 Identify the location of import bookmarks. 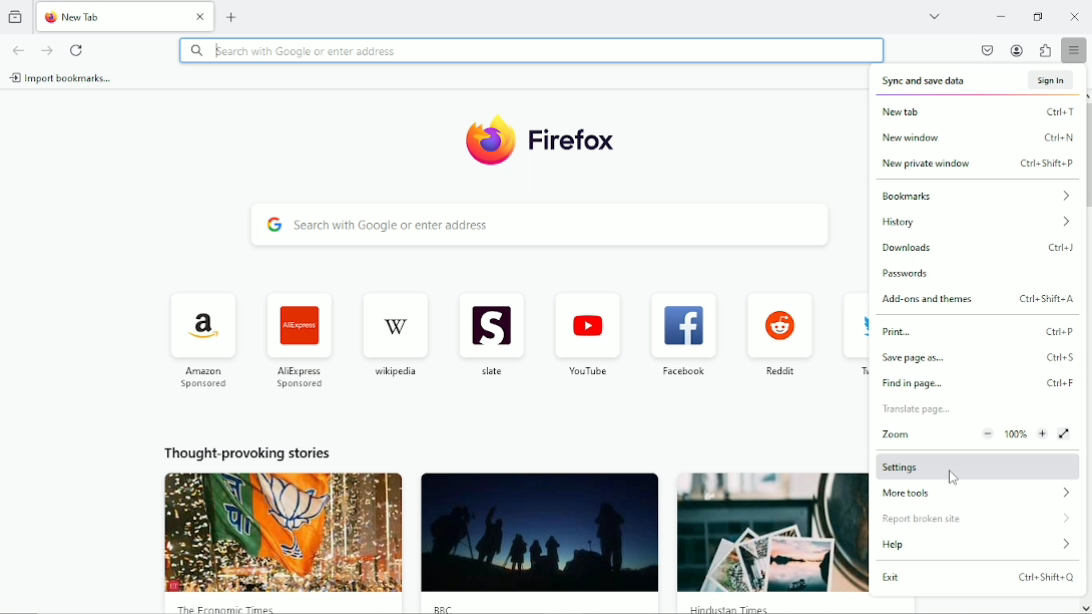
(62, 78).